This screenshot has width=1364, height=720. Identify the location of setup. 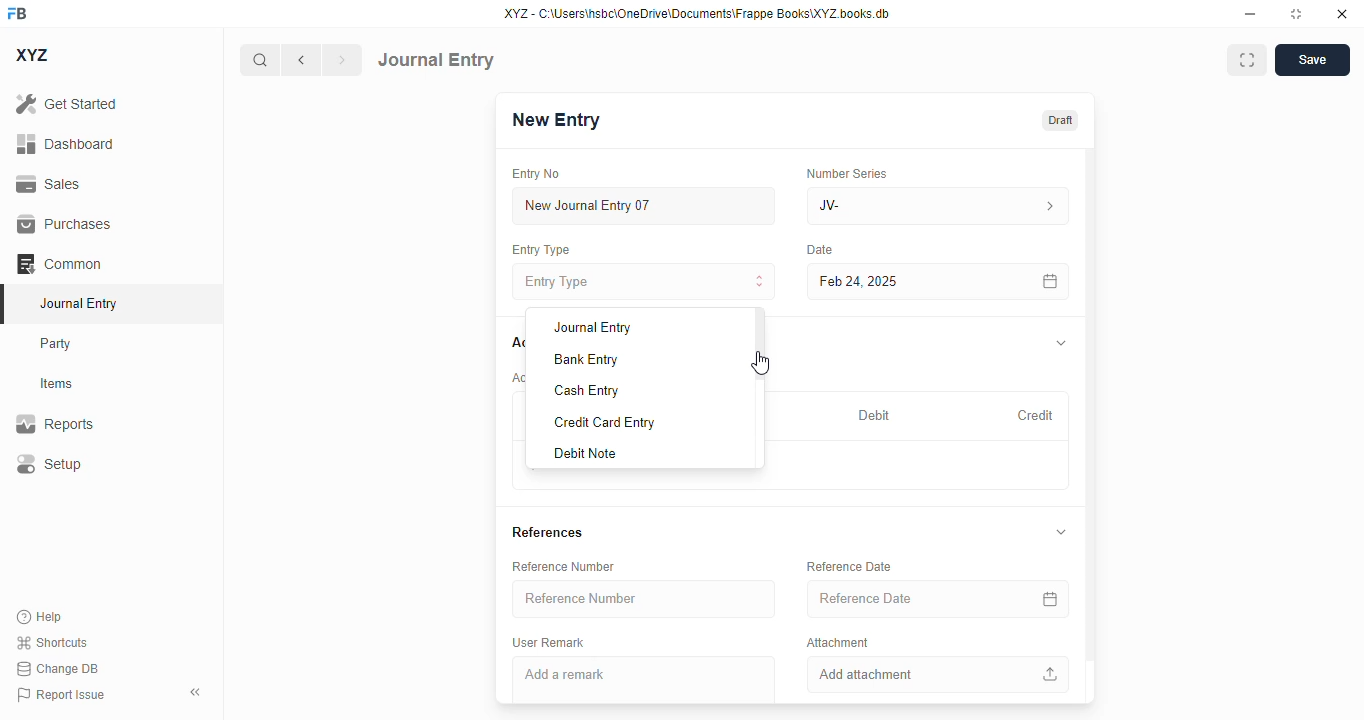
(49, 463).